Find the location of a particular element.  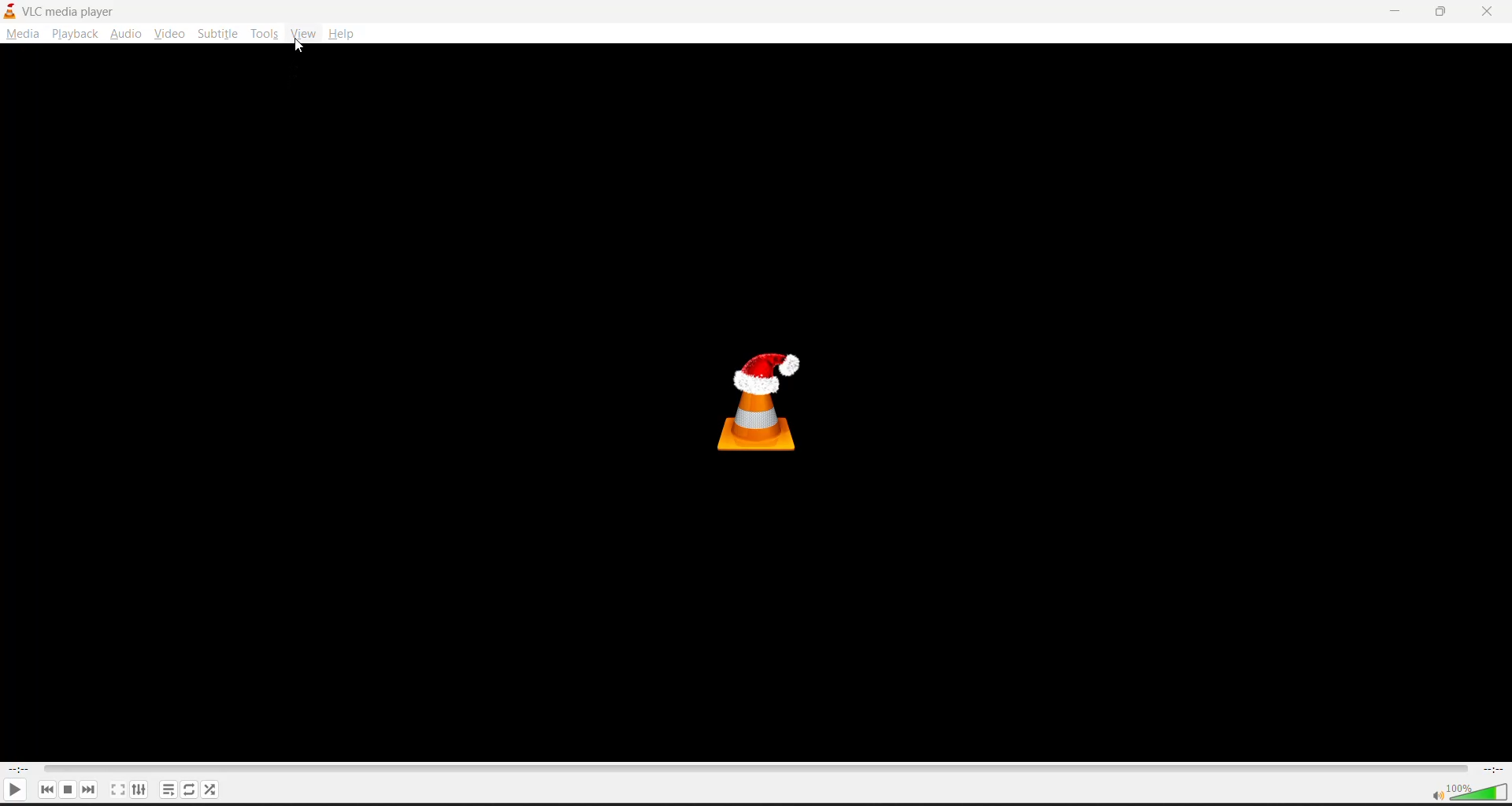

current play time is located at coordinates (20, 770).